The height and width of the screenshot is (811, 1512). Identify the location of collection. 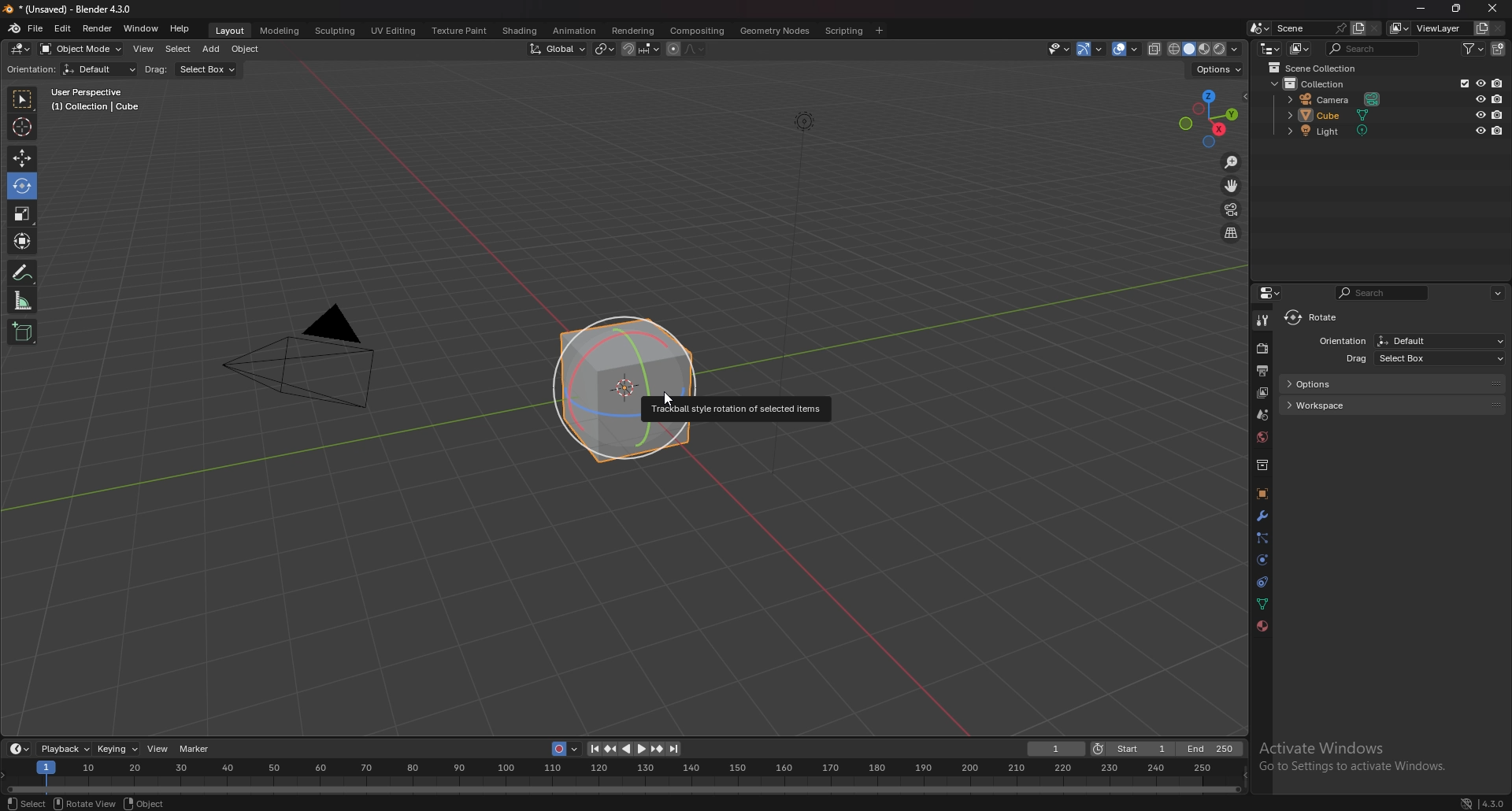
(1262, 465).